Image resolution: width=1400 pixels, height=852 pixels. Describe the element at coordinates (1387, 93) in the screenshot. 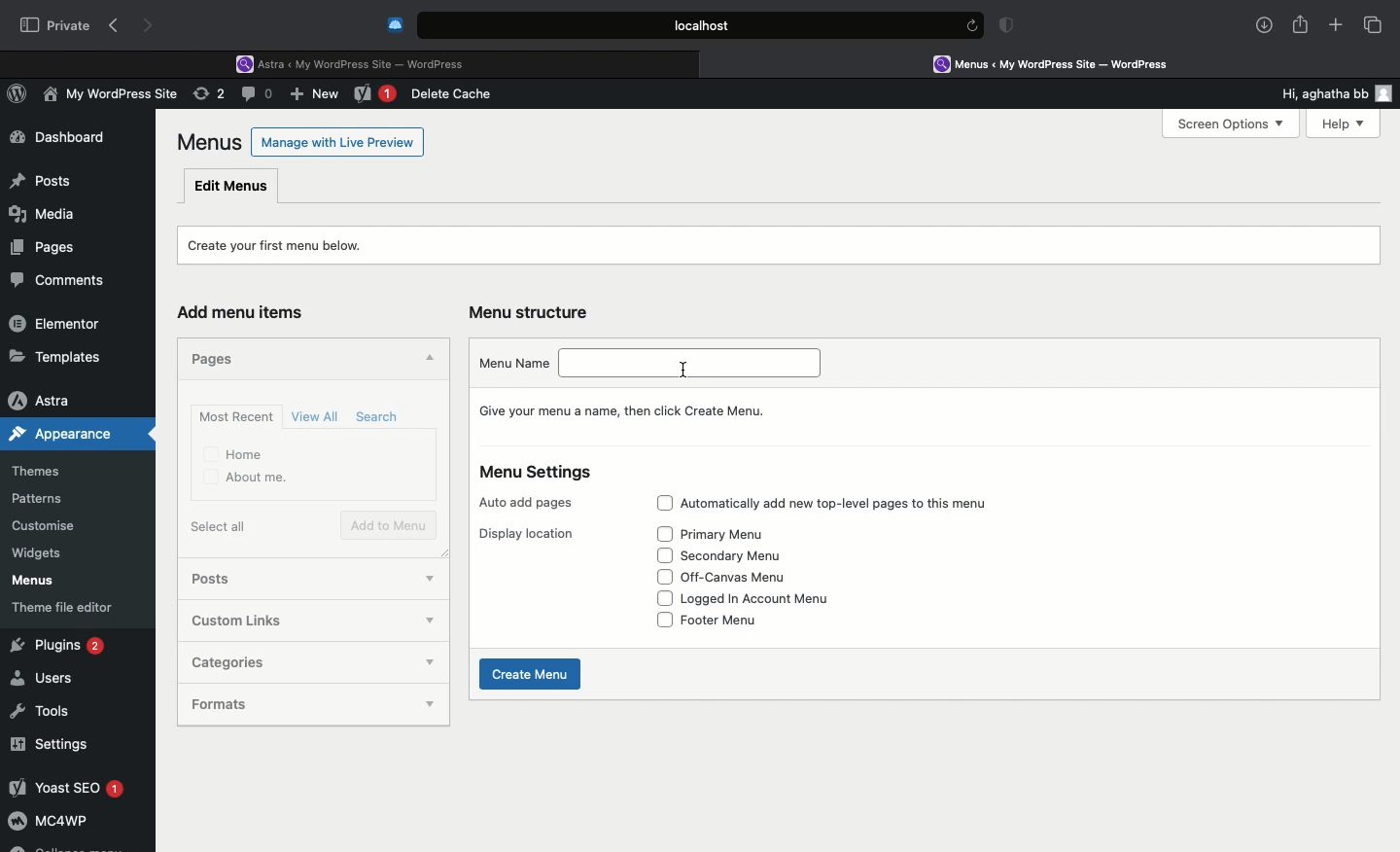

I see `user icon` at that location.